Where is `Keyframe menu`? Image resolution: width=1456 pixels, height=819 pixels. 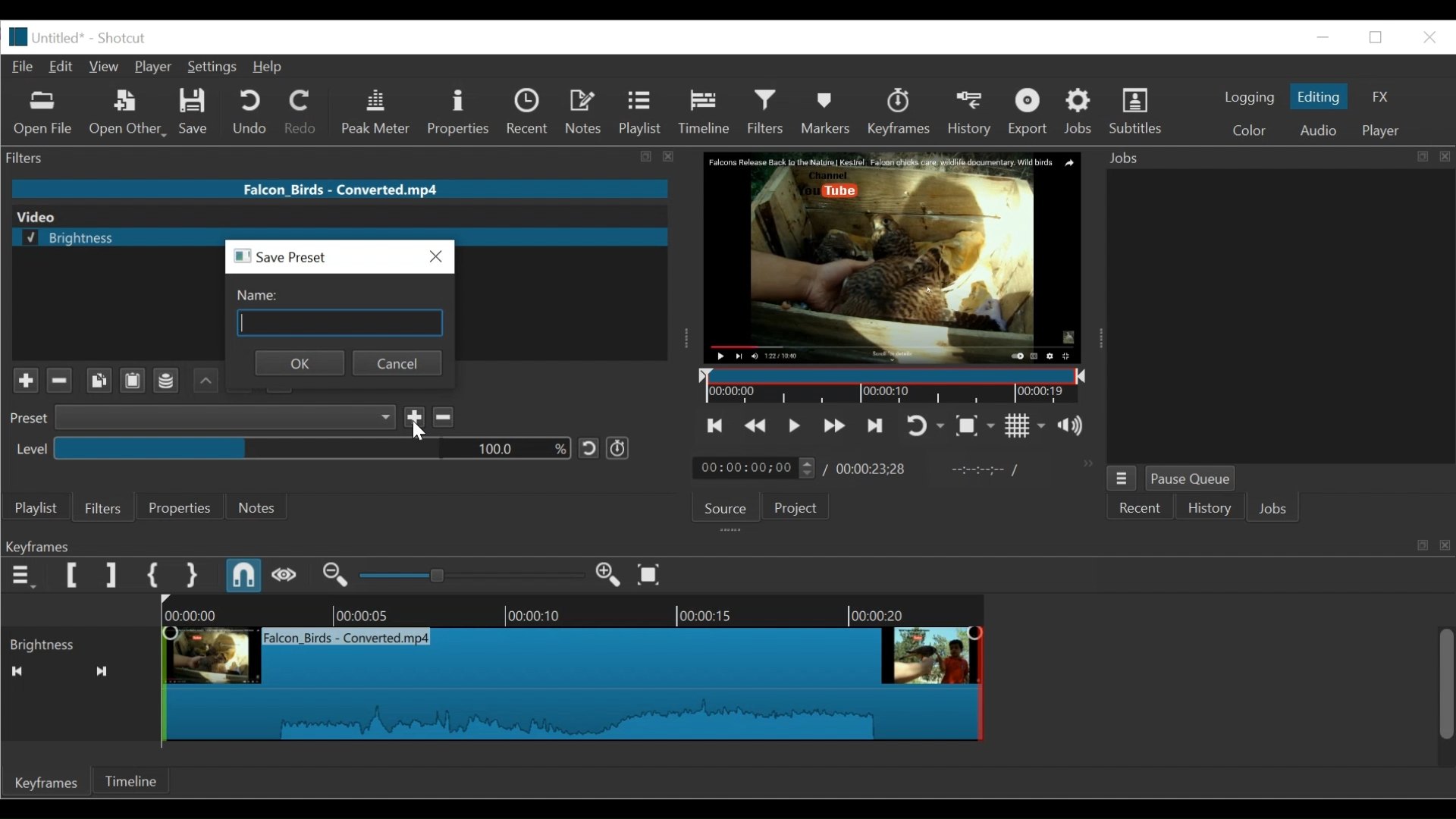 Keyframe menu is located at coordinates (23, 576).